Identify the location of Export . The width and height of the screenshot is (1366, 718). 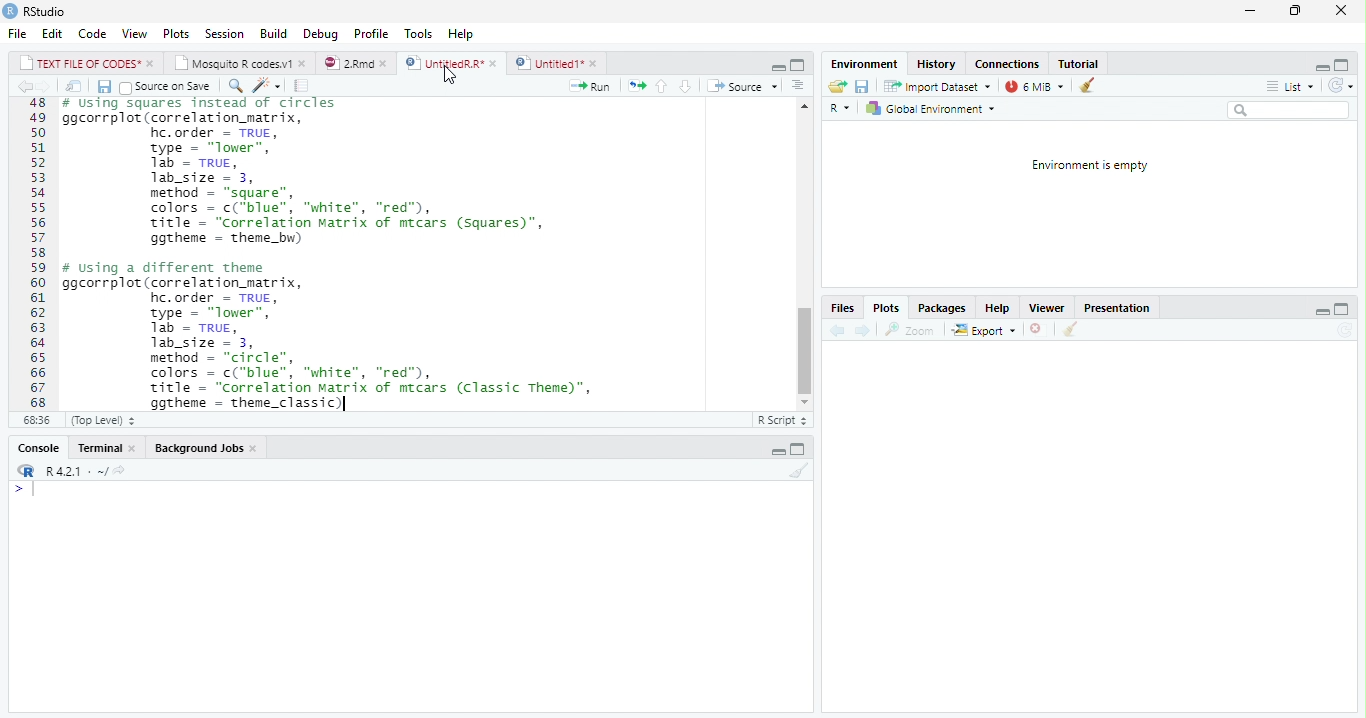
(983, 330).